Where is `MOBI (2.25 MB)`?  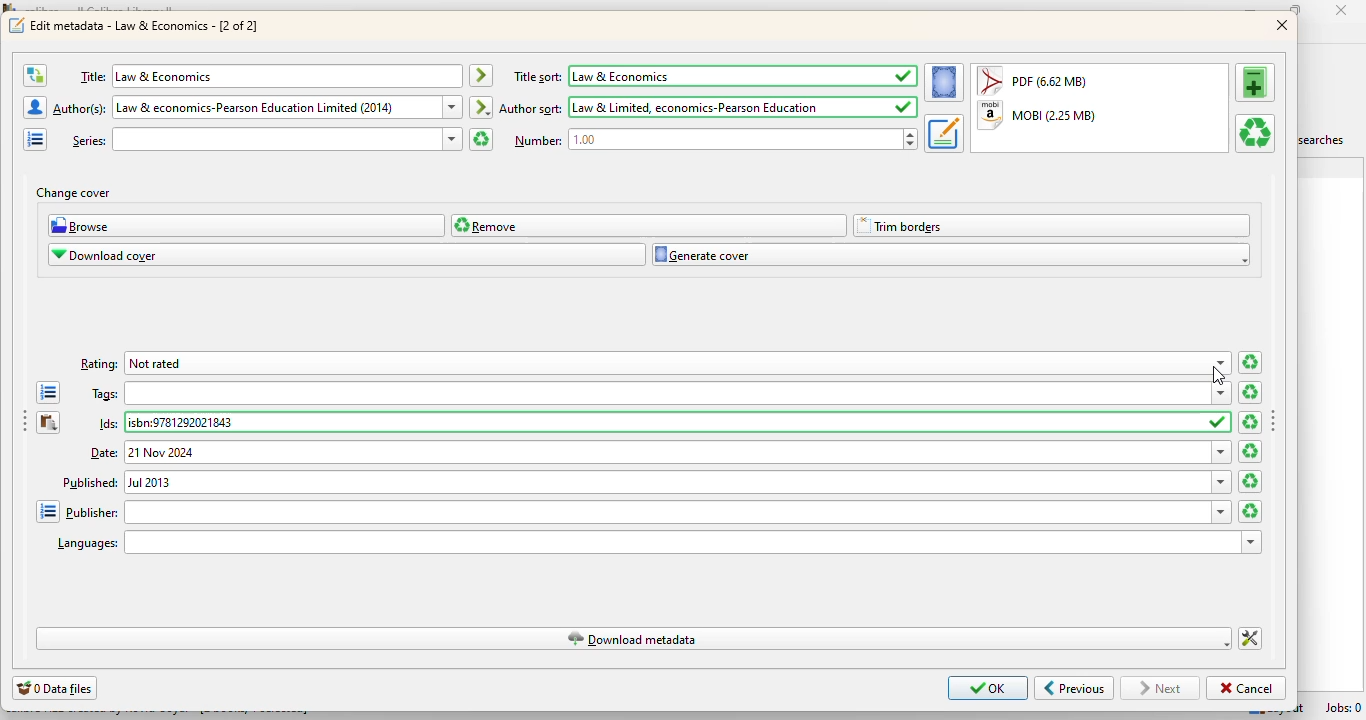 MOBI (2.25 MB) is located at coordinates (1038, 116).